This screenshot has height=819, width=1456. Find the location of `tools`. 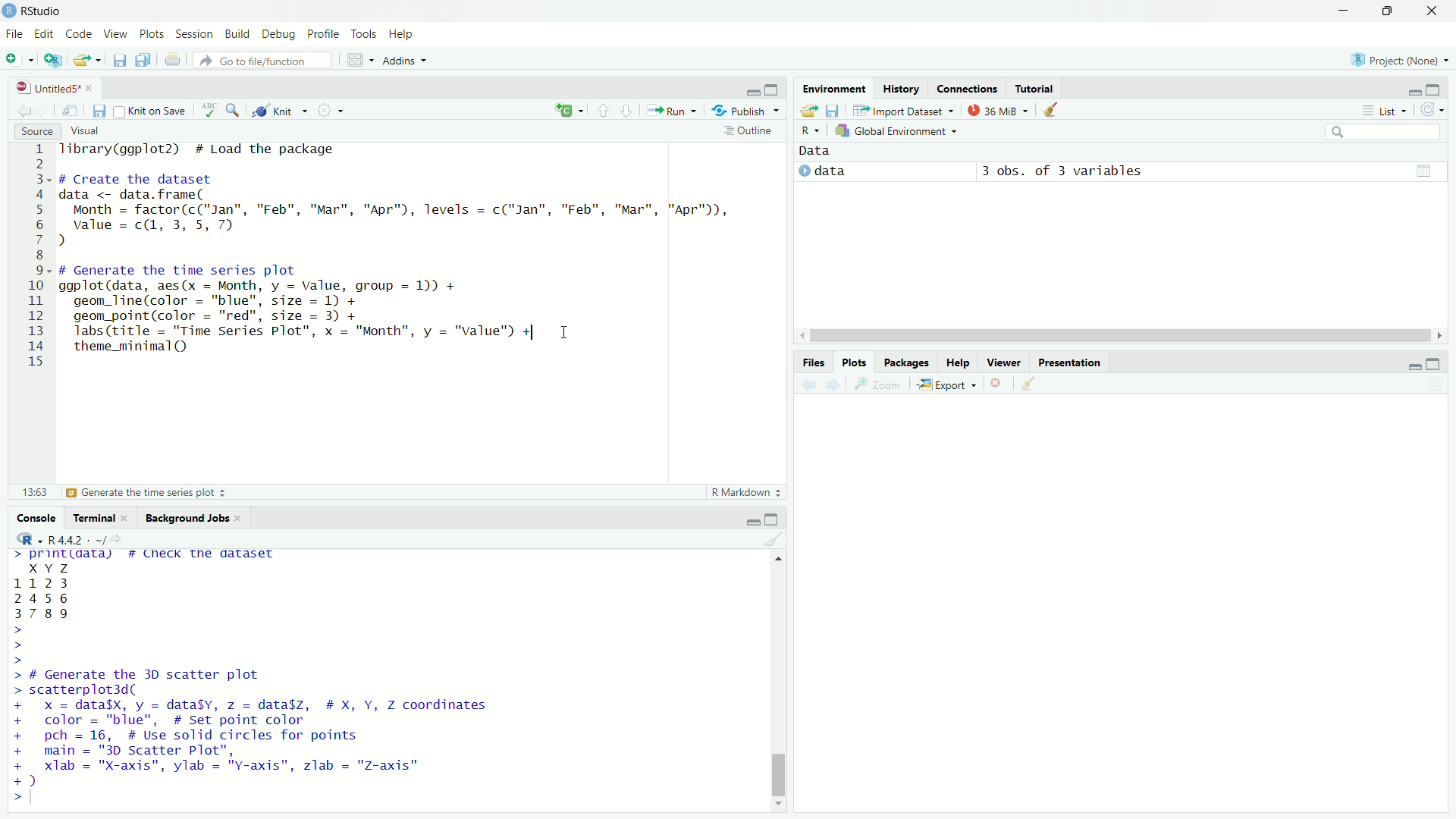

tools is located at coordinates (366, 35).